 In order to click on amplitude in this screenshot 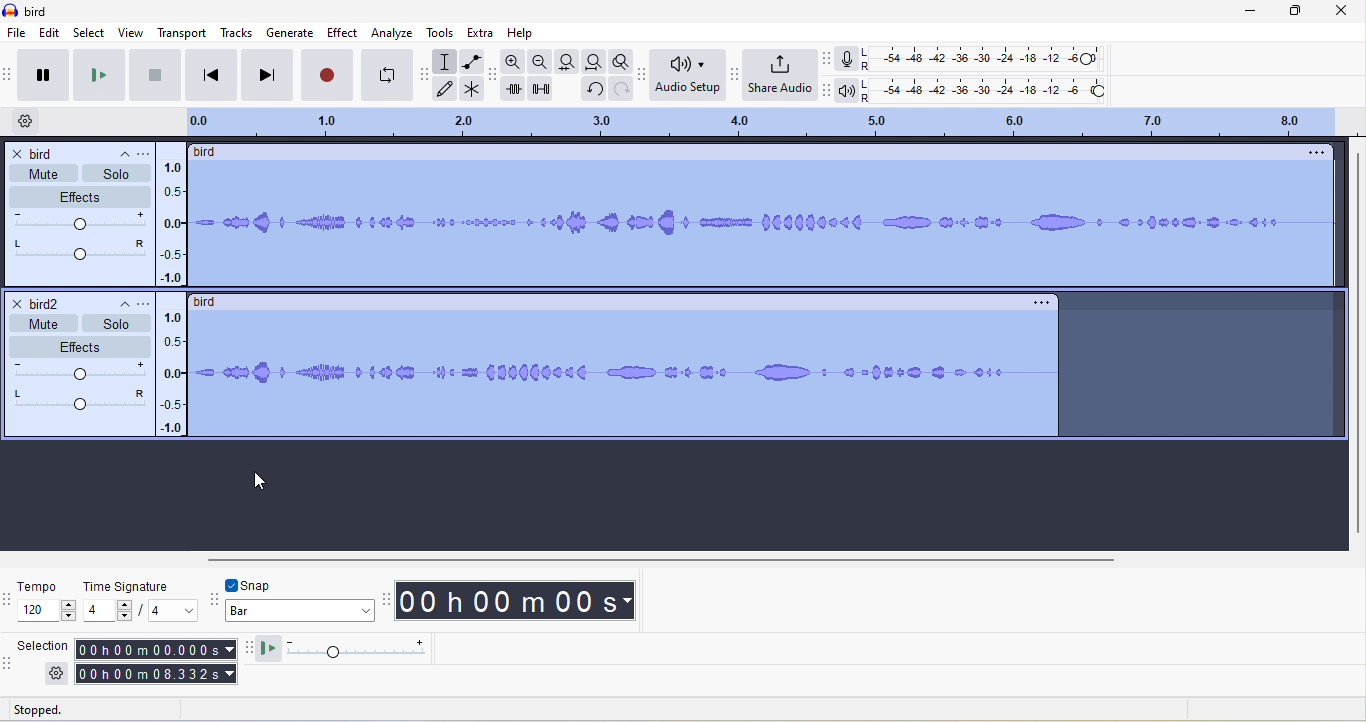, I will do `click(170, 224)`.